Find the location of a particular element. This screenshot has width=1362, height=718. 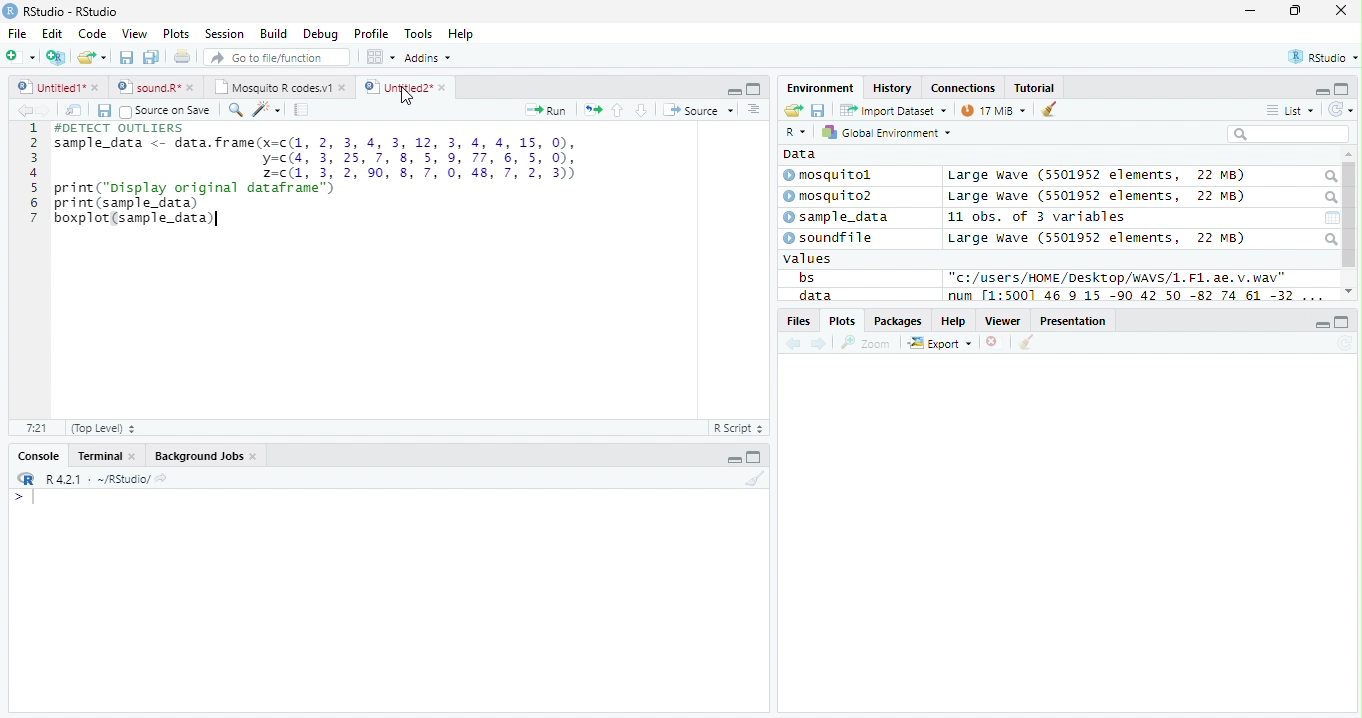

Save the current document is located at coordinates (126, 57).